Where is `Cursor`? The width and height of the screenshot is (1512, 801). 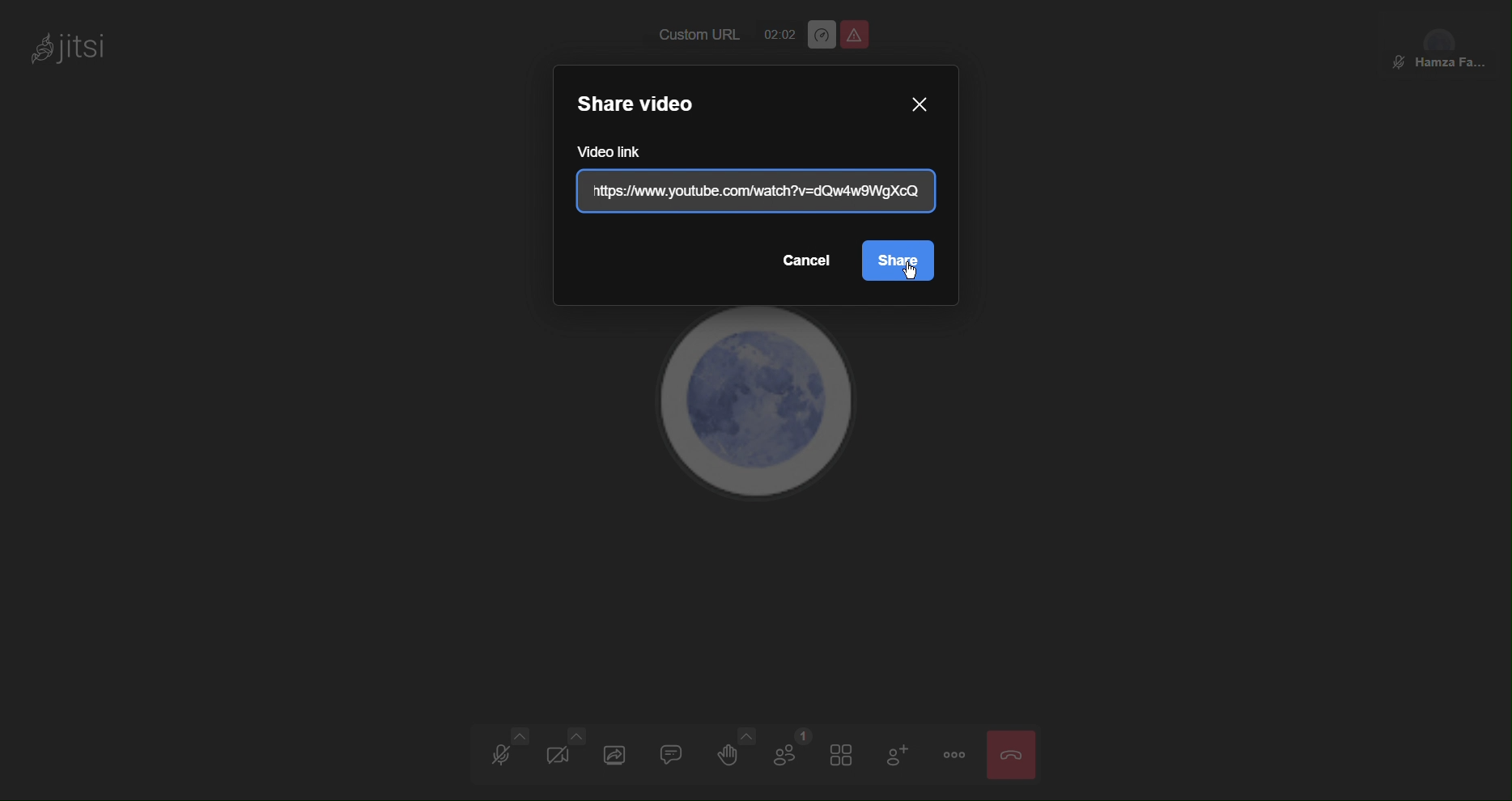
Cursor is located at coordinates (898, 261).